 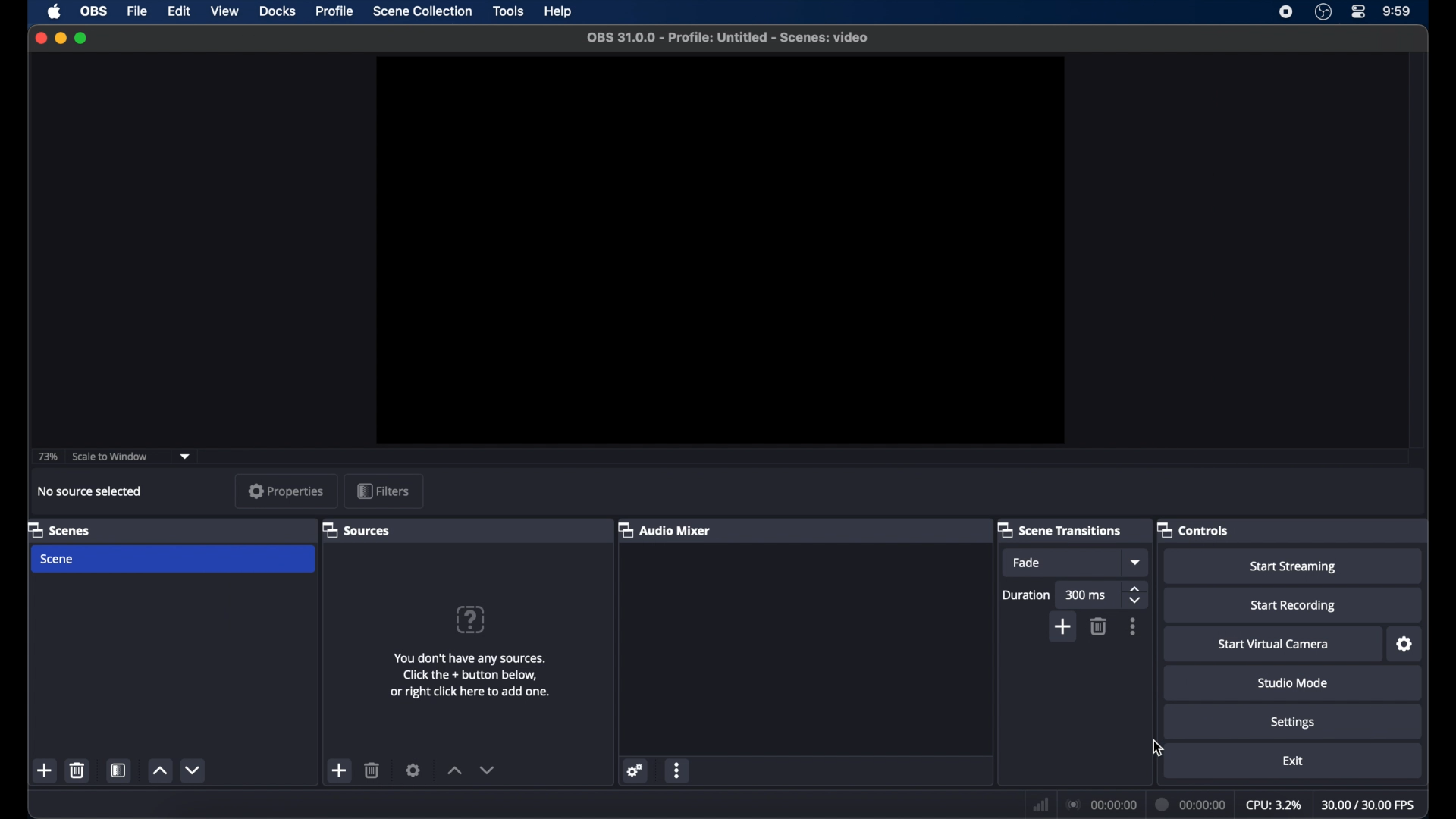 What do you see at coordinates (1191, 805) in the screenshot?
I see `duration` at bounding box center [1191, 805].